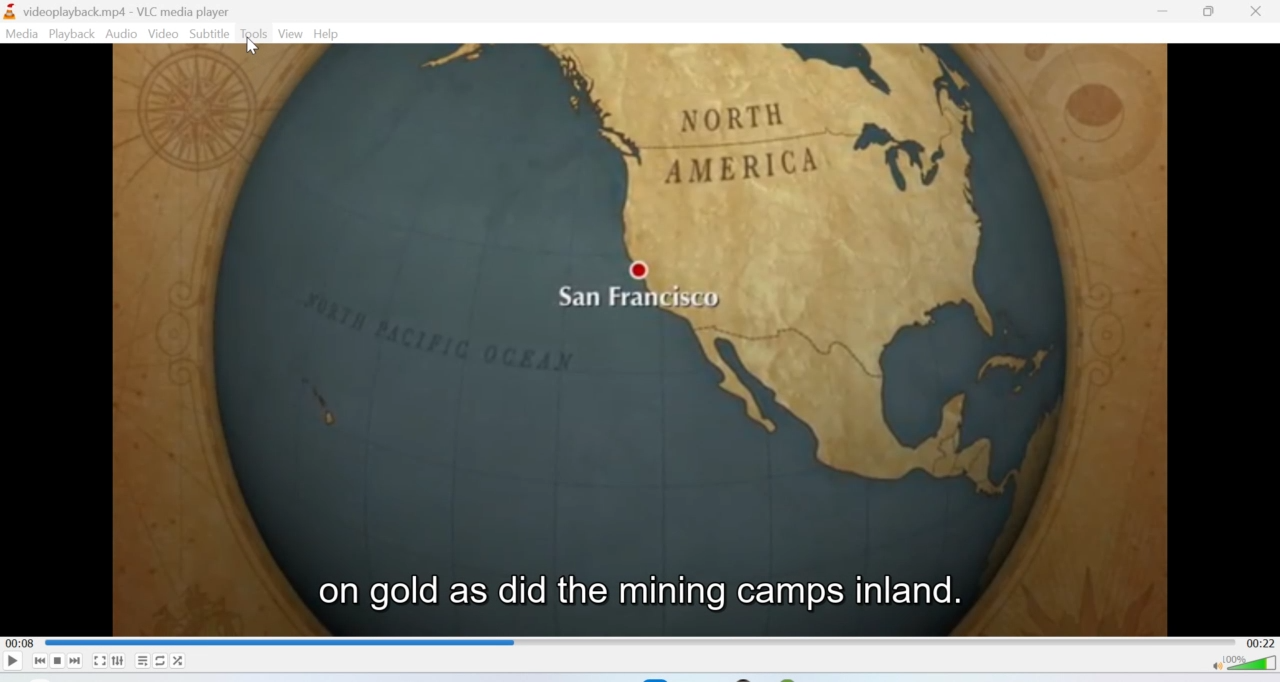  I want to click on 00:22, so click(1263, 644).